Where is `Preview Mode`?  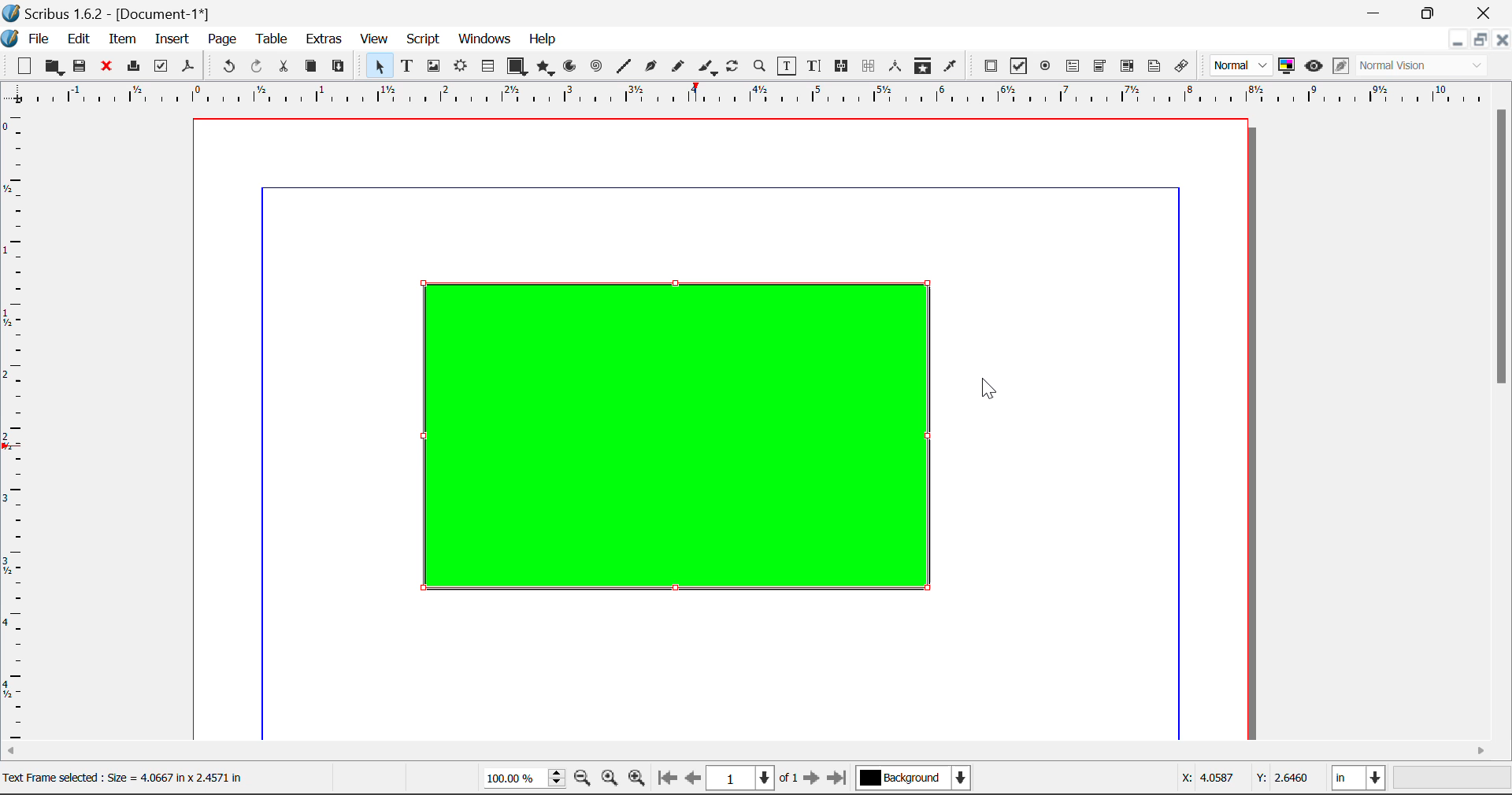 Preview Mode is located at coordinates (1314, 66).